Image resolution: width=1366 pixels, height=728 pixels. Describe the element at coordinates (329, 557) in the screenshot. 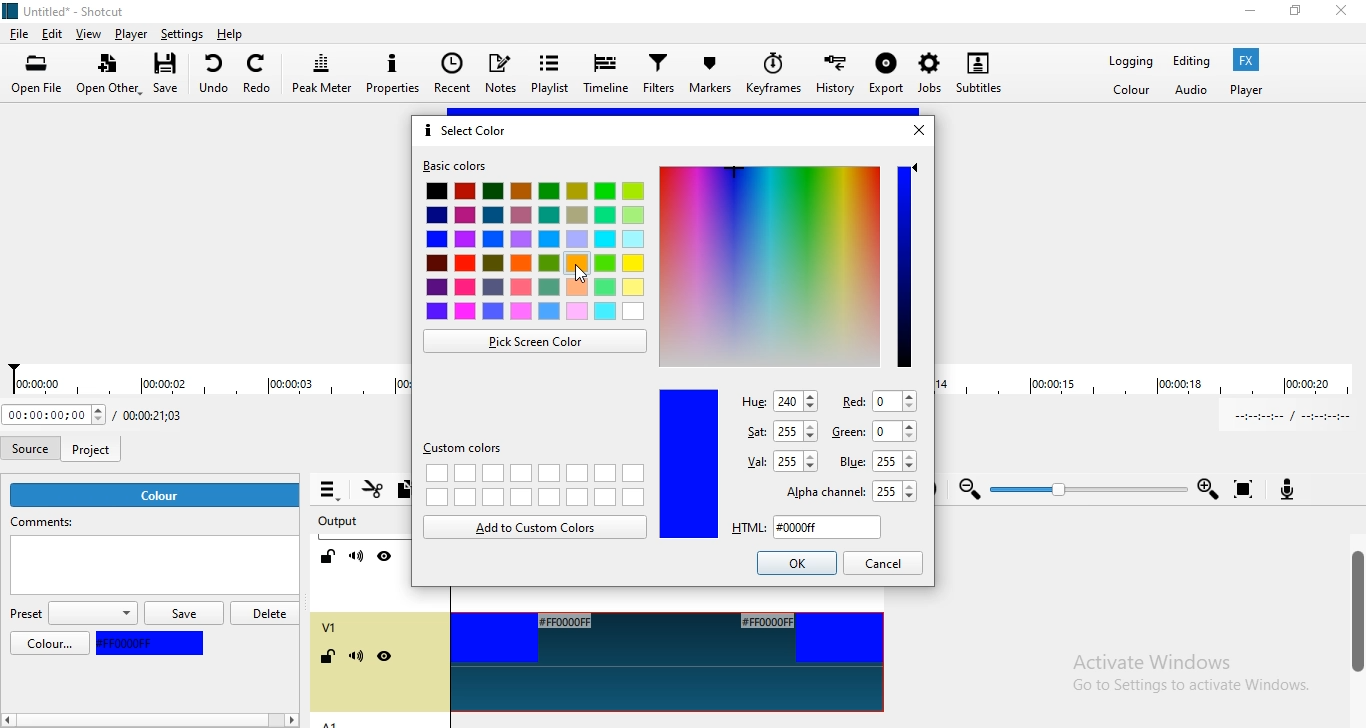

I see `Lock` at that location.